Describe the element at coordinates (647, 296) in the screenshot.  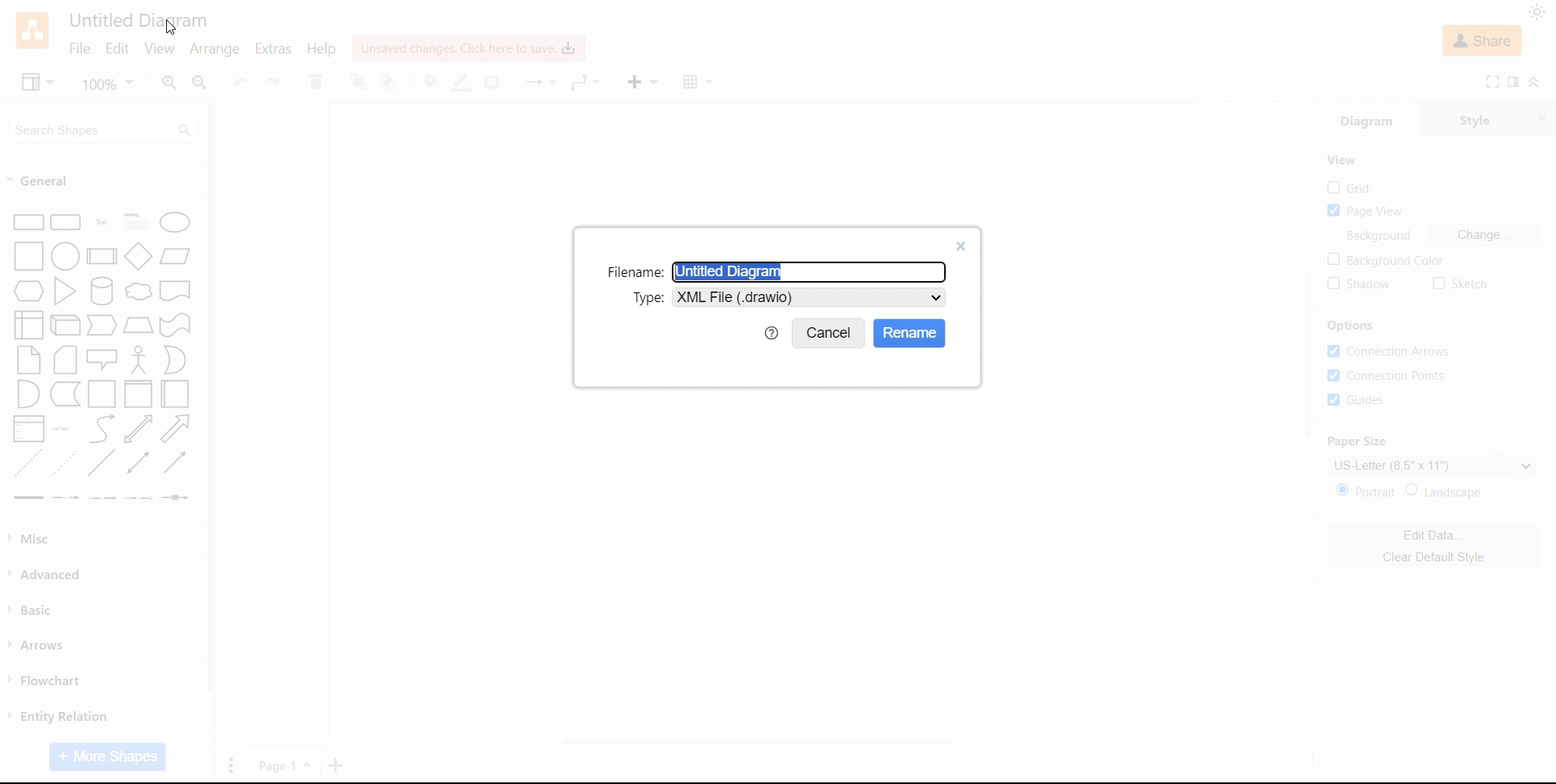
I see `text` at that location.